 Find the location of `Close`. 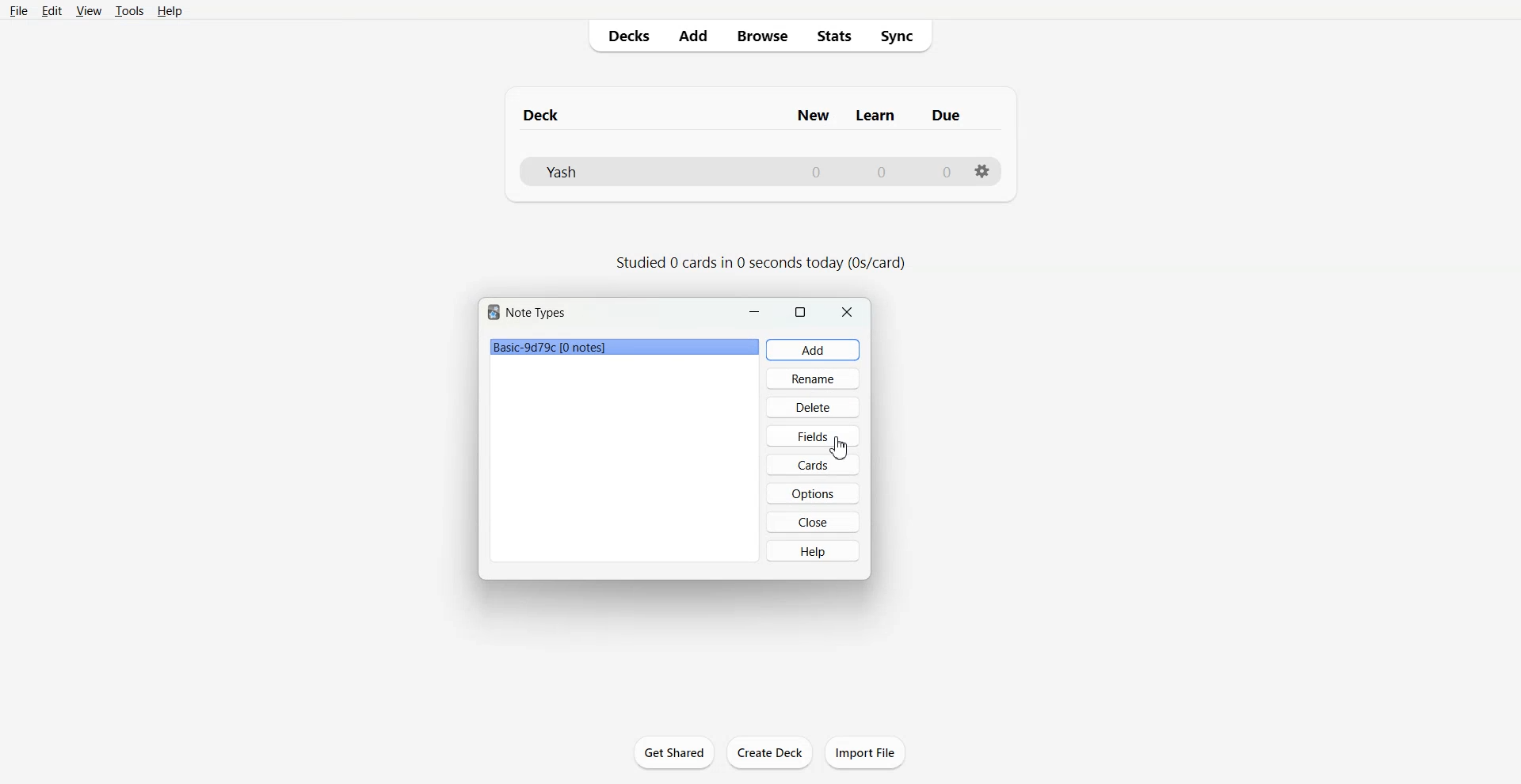

Close is located at coordinates (812, 522).